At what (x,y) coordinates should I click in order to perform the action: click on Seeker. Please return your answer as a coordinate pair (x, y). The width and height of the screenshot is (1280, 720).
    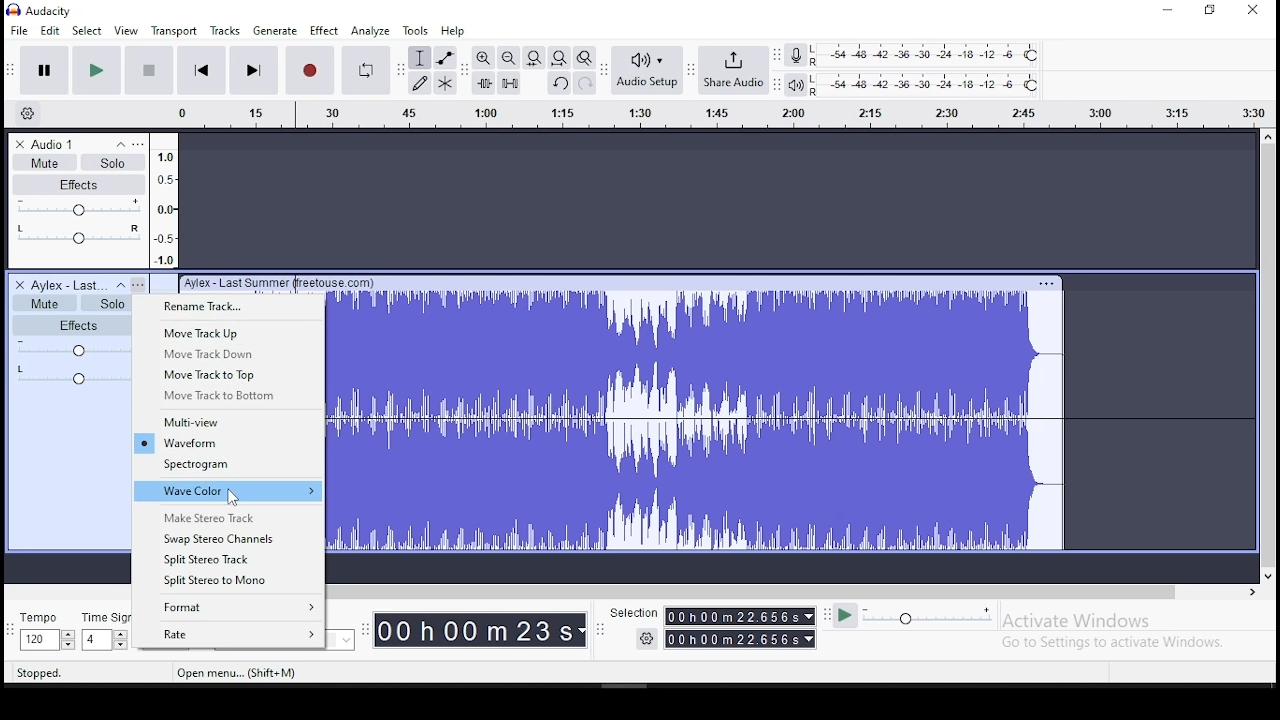
    Looking at the image, I should click on (164, 200).